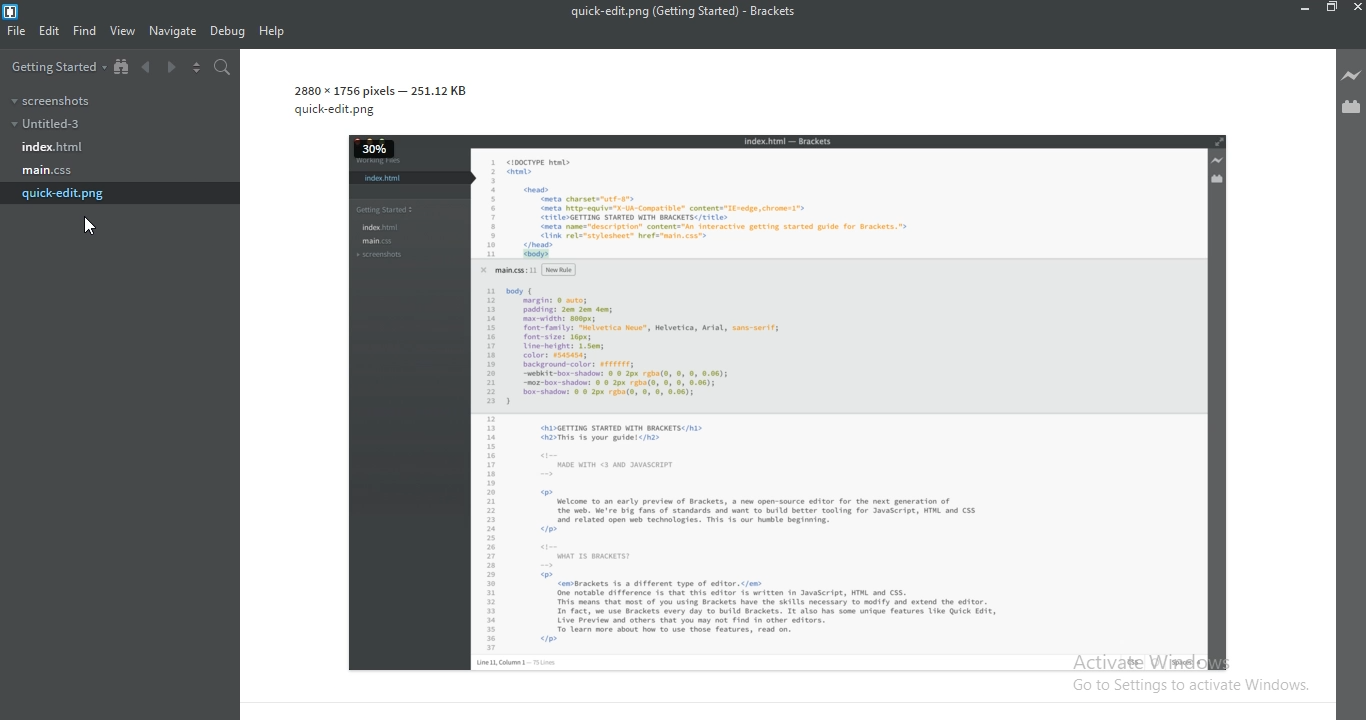 This screenshot has width=1366, height=720. Describe the element at coordinates (1352, 109) in the screenshot. I see `extension manager` at that location.